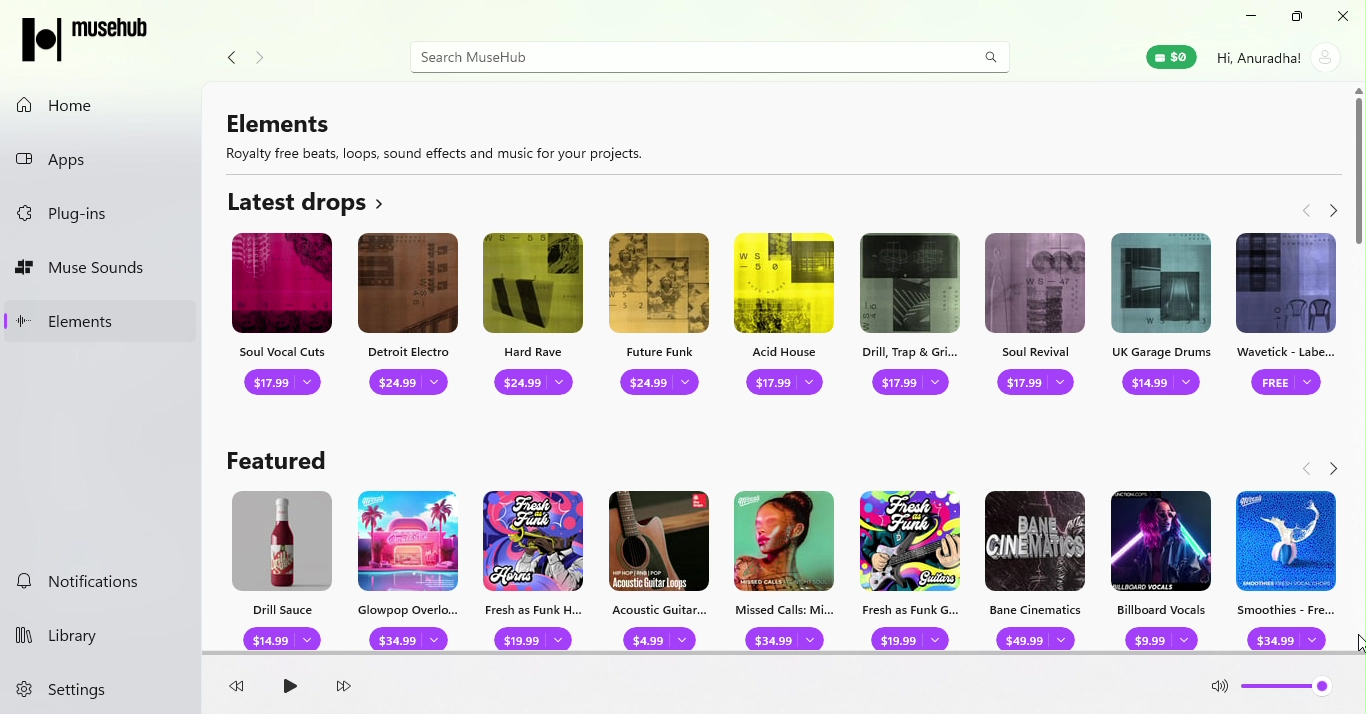 The height and width of the screenshot is (714, 1366). What do you see at coordinates (1283, 320) in the screenshot?
I see `Wavetick: Label sampler` at bounding box center [1283, 320].